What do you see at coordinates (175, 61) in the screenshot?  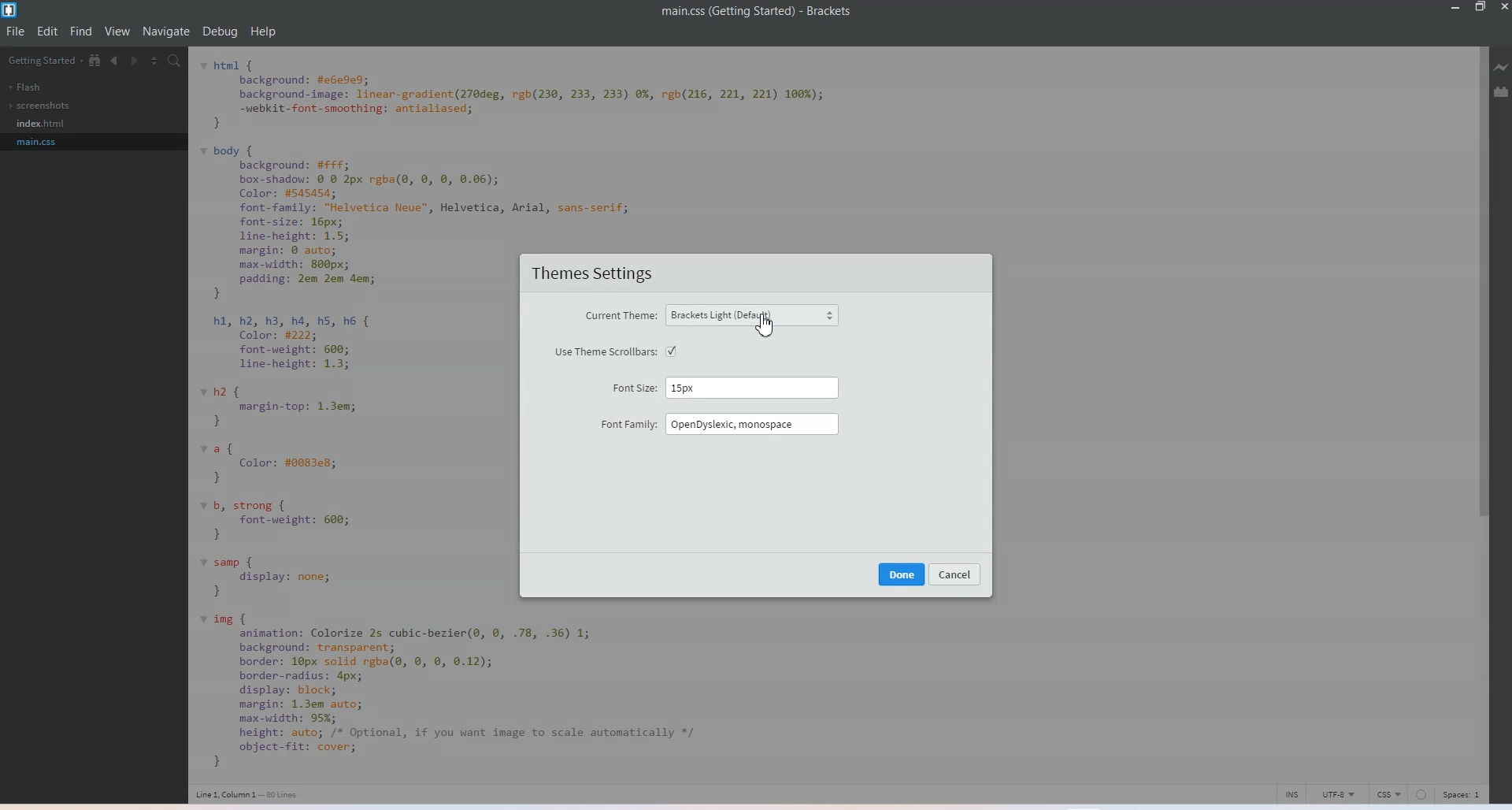 I see `Find in files` at bounding box center [175, 61].